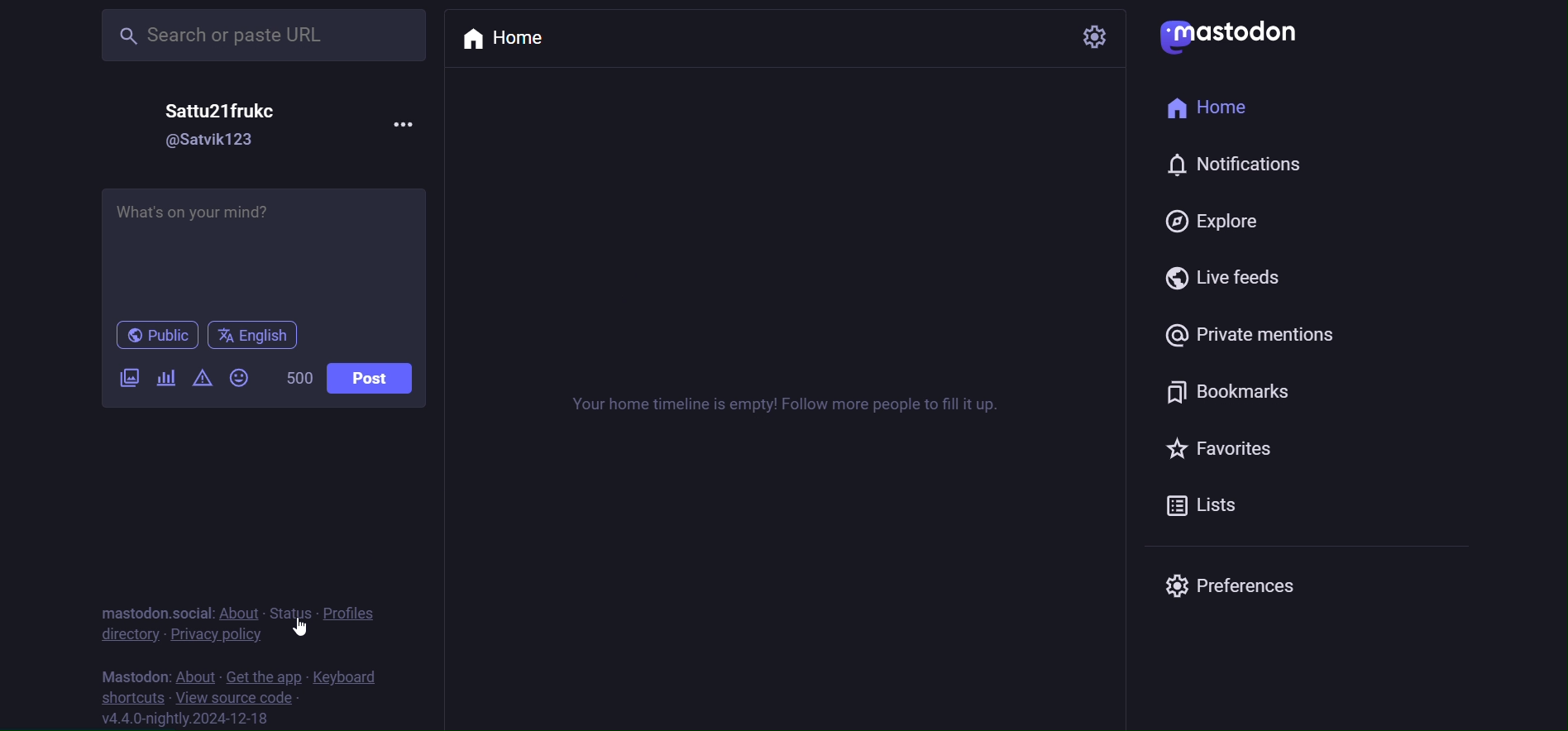 The width and height of the screenshot is (1568, 731). Describe the element at coordinates (262, 672) in the screenshot. I see `Get the app` at that location.